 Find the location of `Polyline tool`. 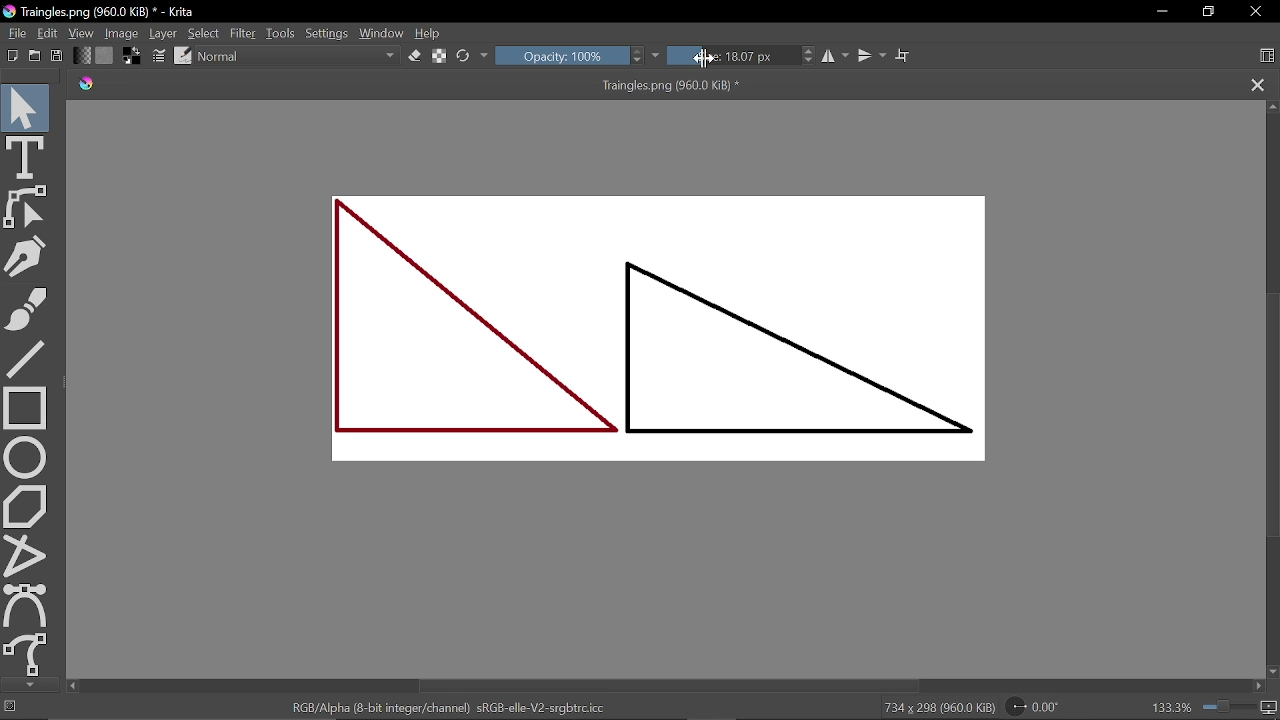

Polyline tool is located at coordinates (26, 555).